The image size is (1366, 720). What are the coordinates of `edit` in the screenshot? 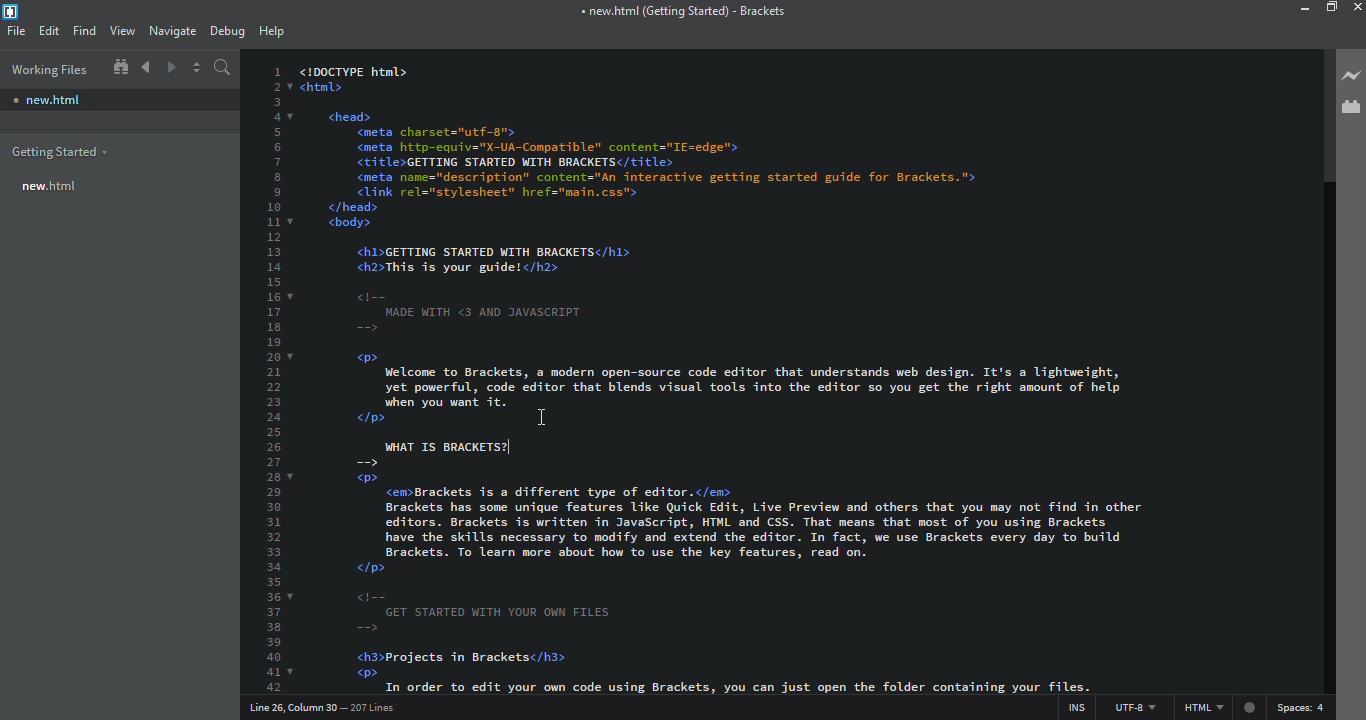 It's located at (49, 31).